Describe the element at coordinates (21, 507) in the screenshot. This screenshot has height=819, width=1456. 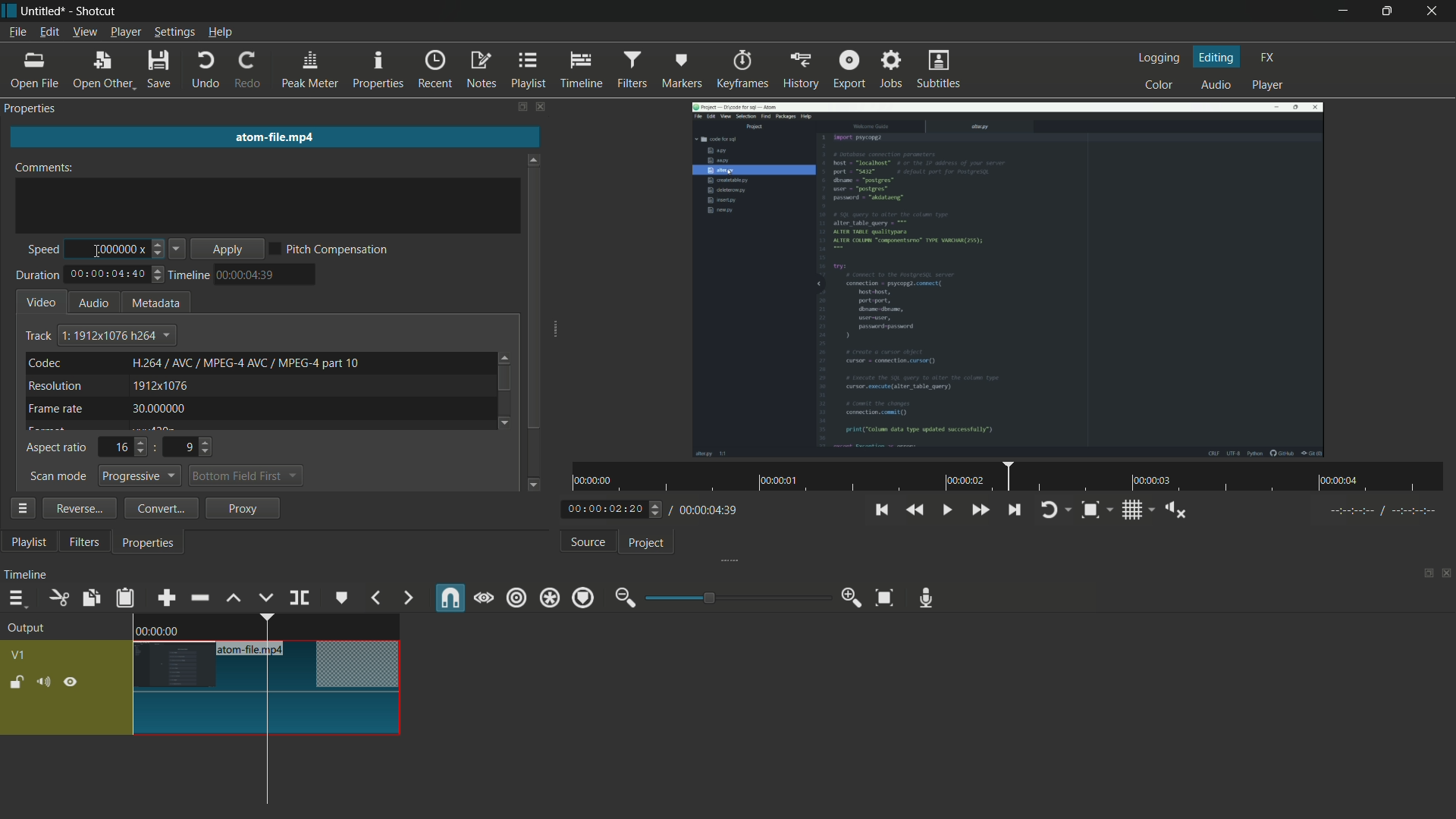
I see `properties menu` at that location.